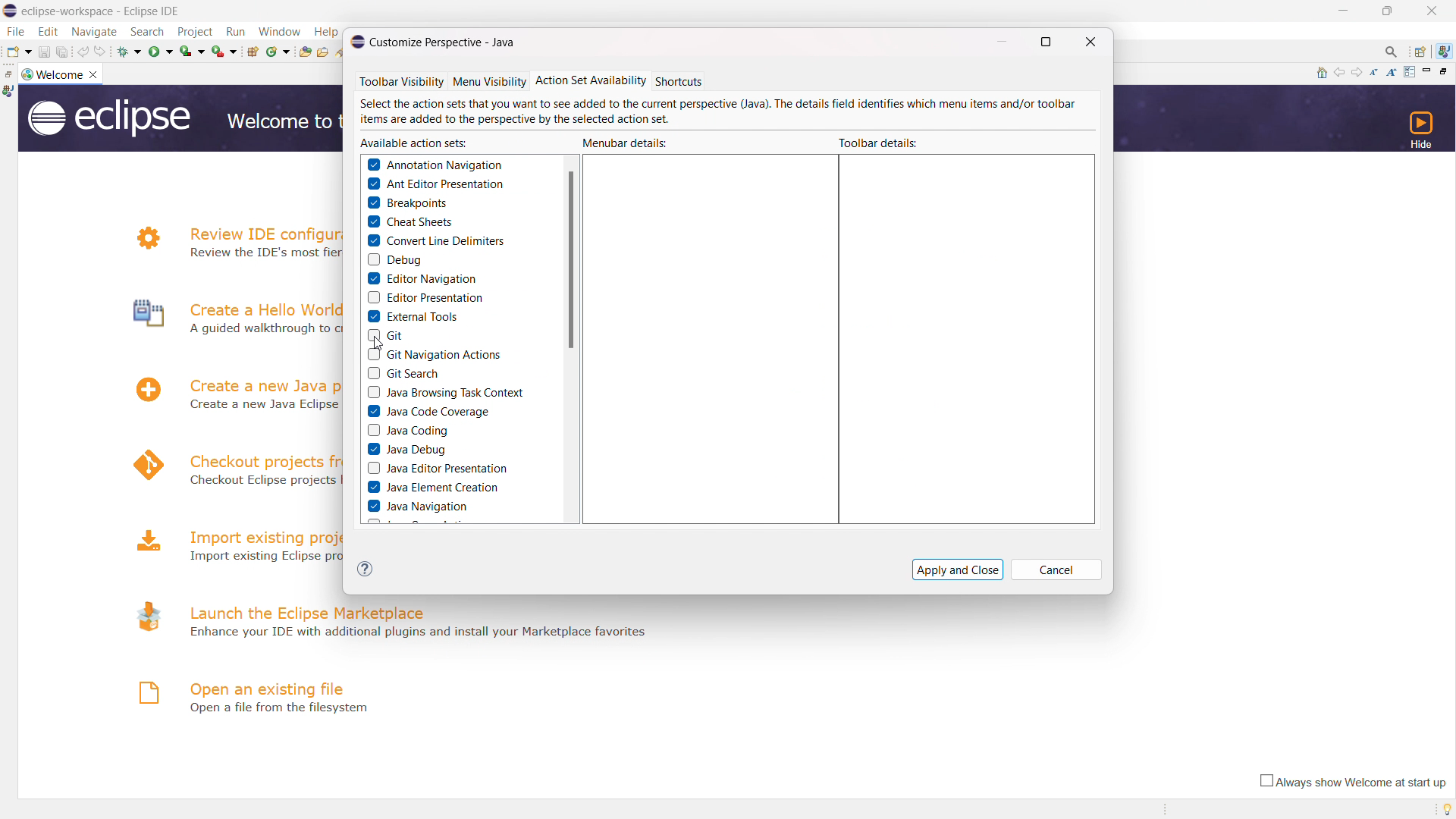  I want to click on java coding, so click(406, 430).